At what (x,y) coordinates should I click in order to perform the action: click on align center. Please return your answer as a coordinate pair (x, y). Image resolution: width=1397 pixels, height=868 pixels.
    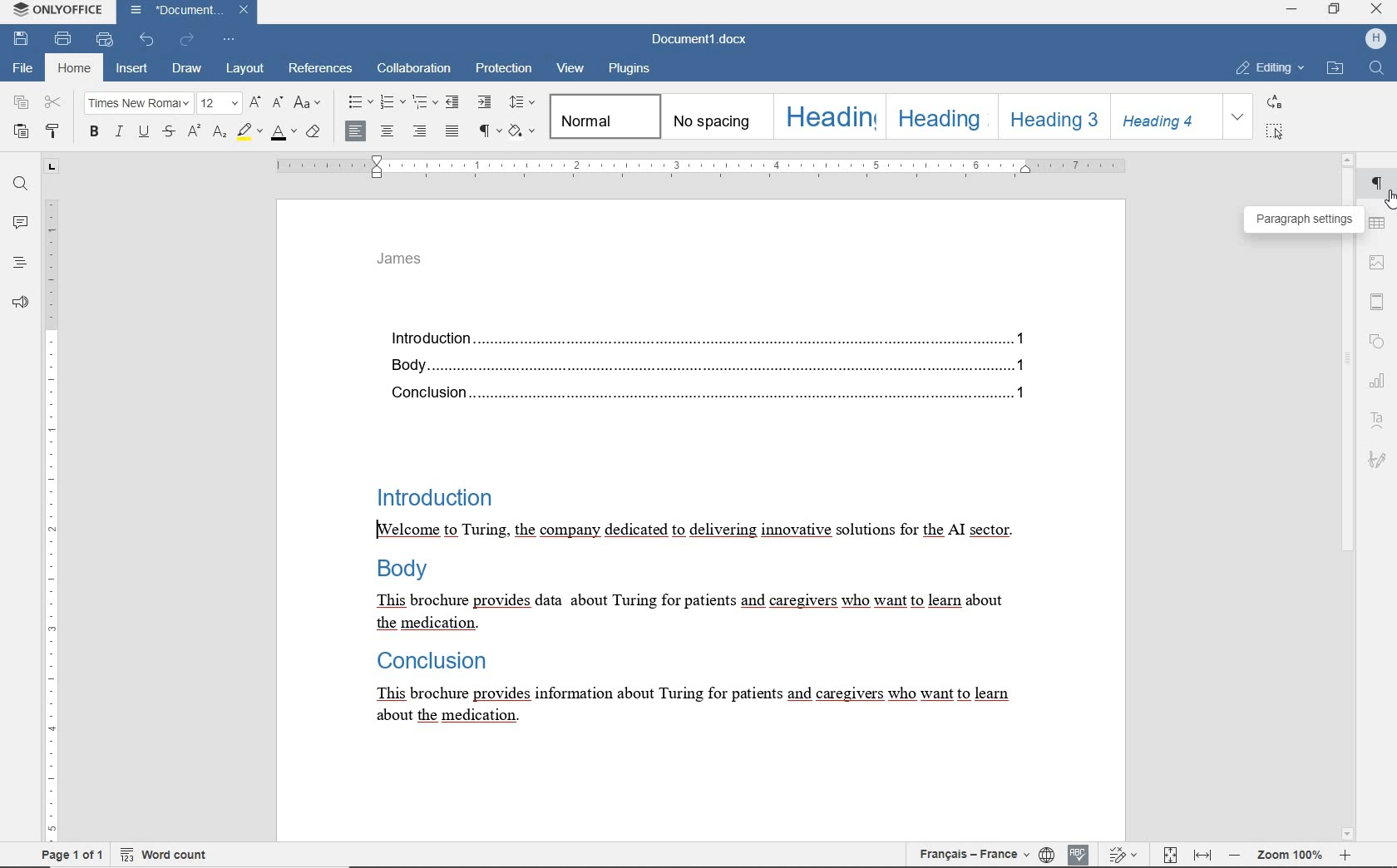
    Looking at the image, I should click on (390, 131).